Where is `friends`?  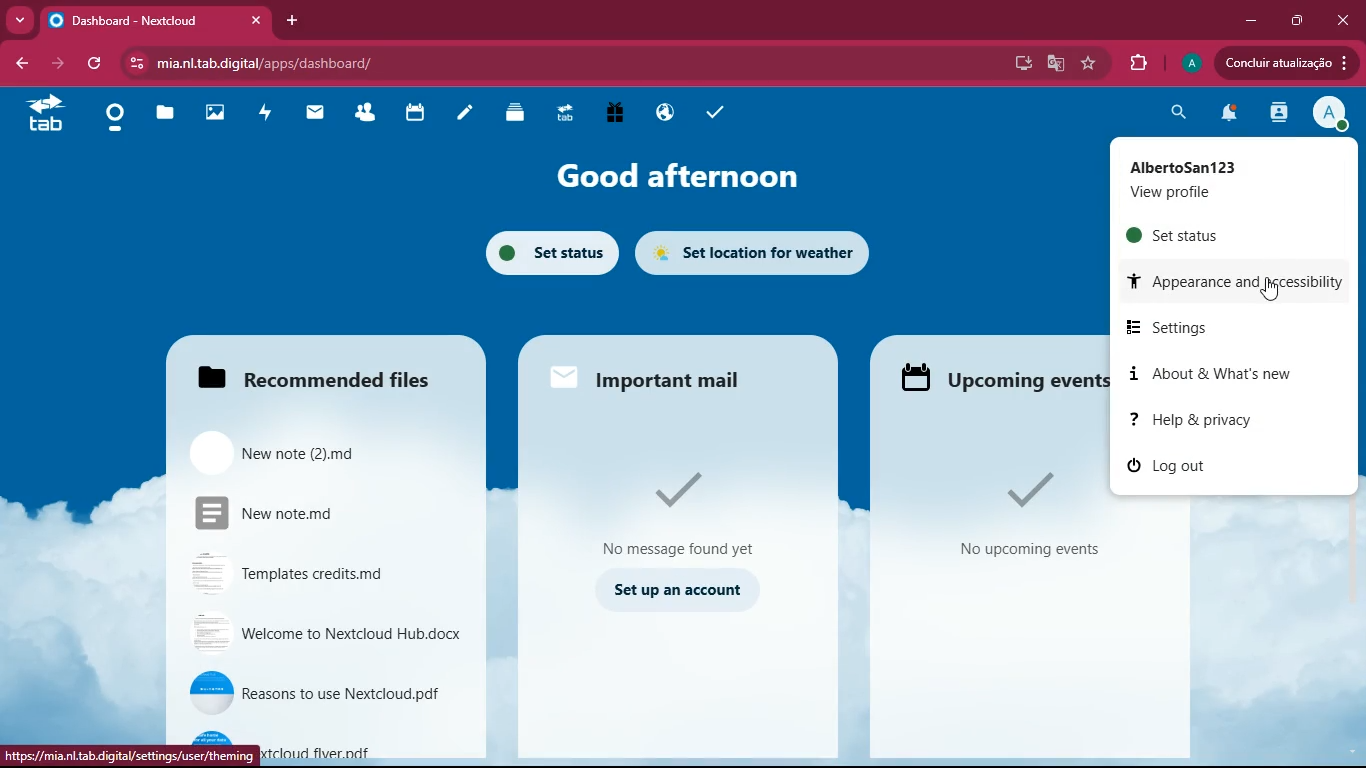 friends is located at coordinates (366, 109).